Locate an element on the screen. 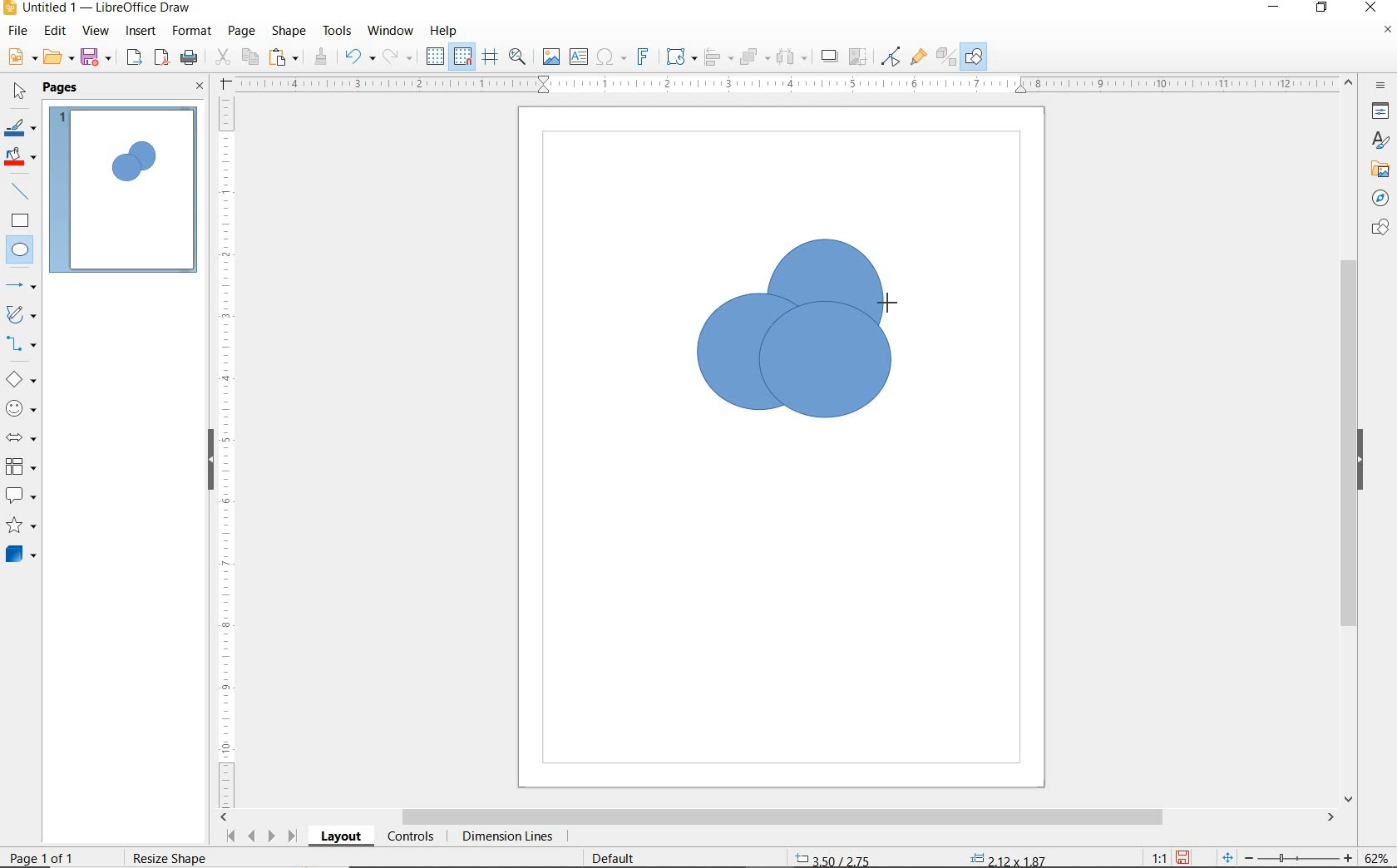  INSERT IMAGE is located at coordinates (551, 57).